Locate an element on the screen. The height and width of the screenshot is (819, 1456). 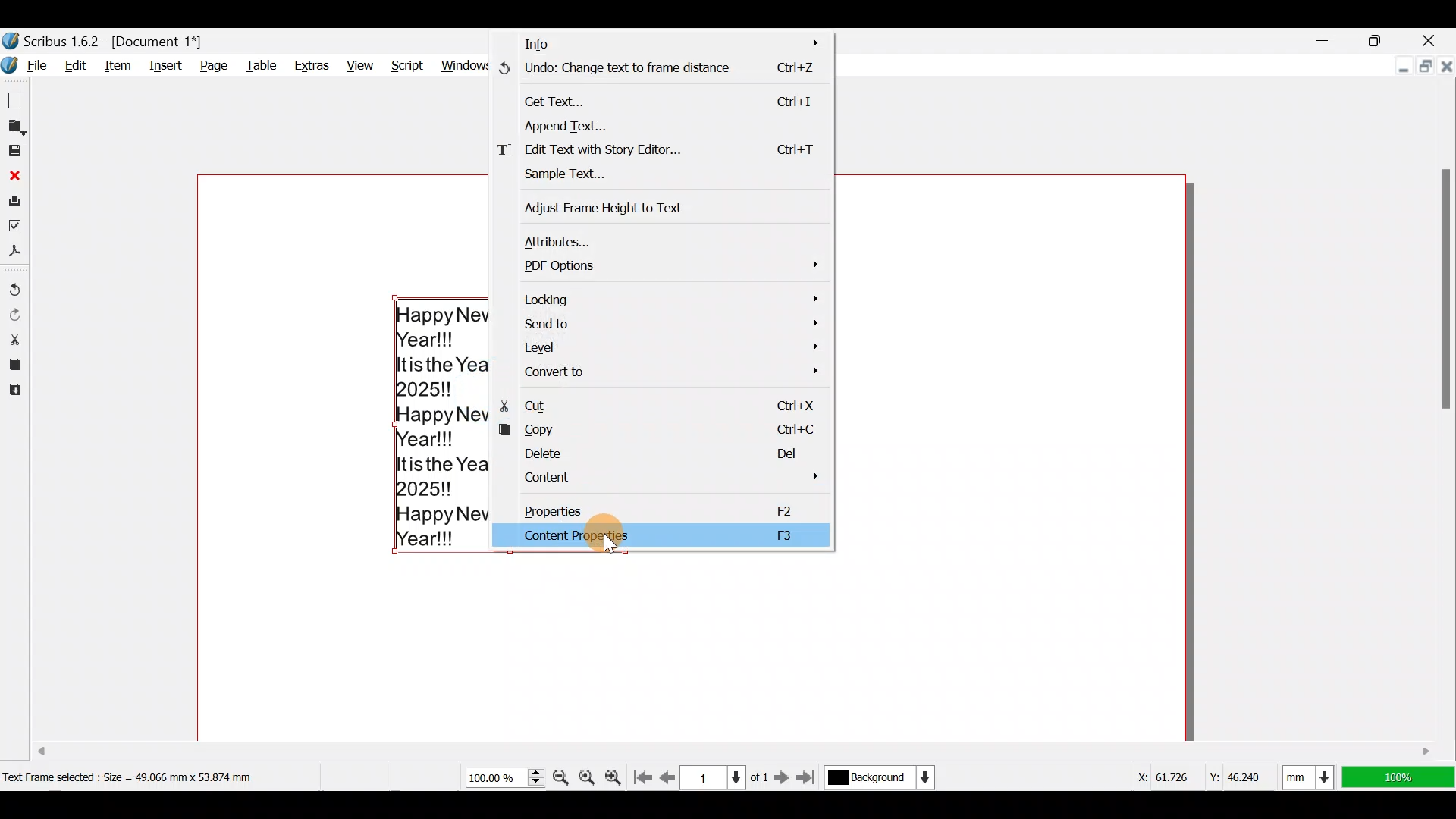
Table is located at coordinates (263, 64).